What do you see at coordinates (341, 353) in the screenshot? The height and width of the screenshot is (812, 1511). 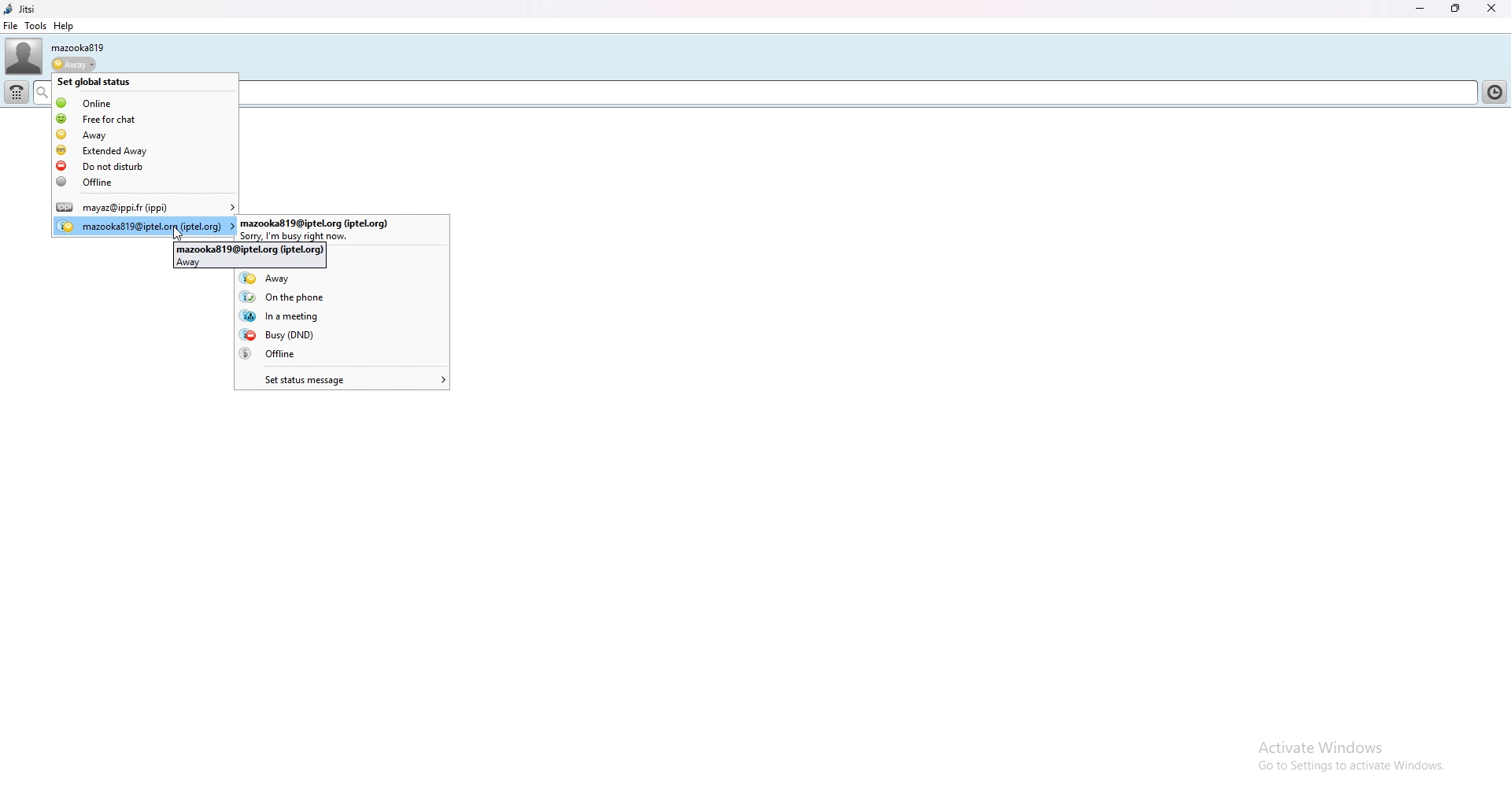 I see `offline` at bounding box center [341, 353].